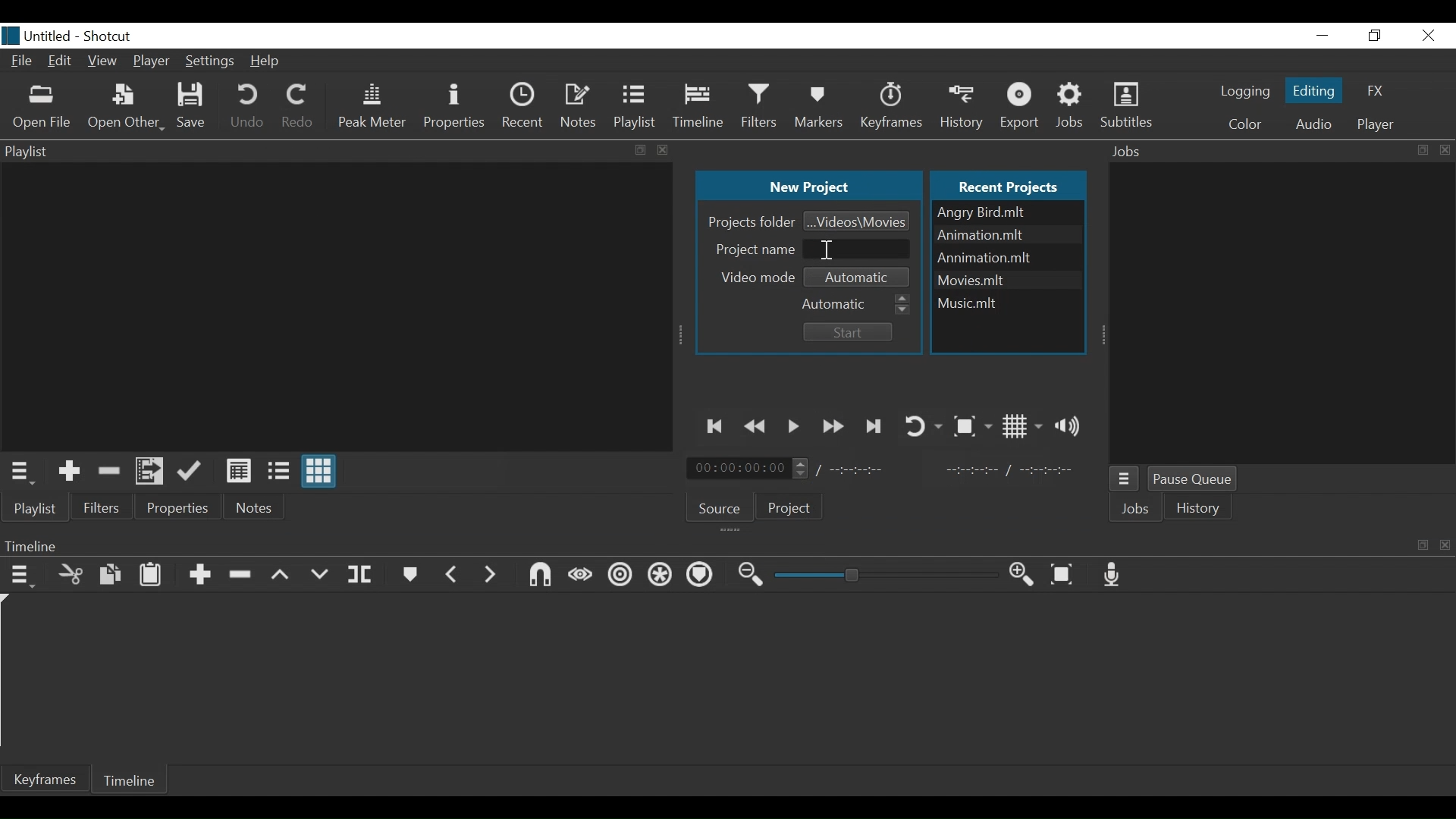 This screenshot has height=819, width=1456. Describe the element at coordinates (1012, 184) in the screenshot. I see `Recent Projects` at that location.